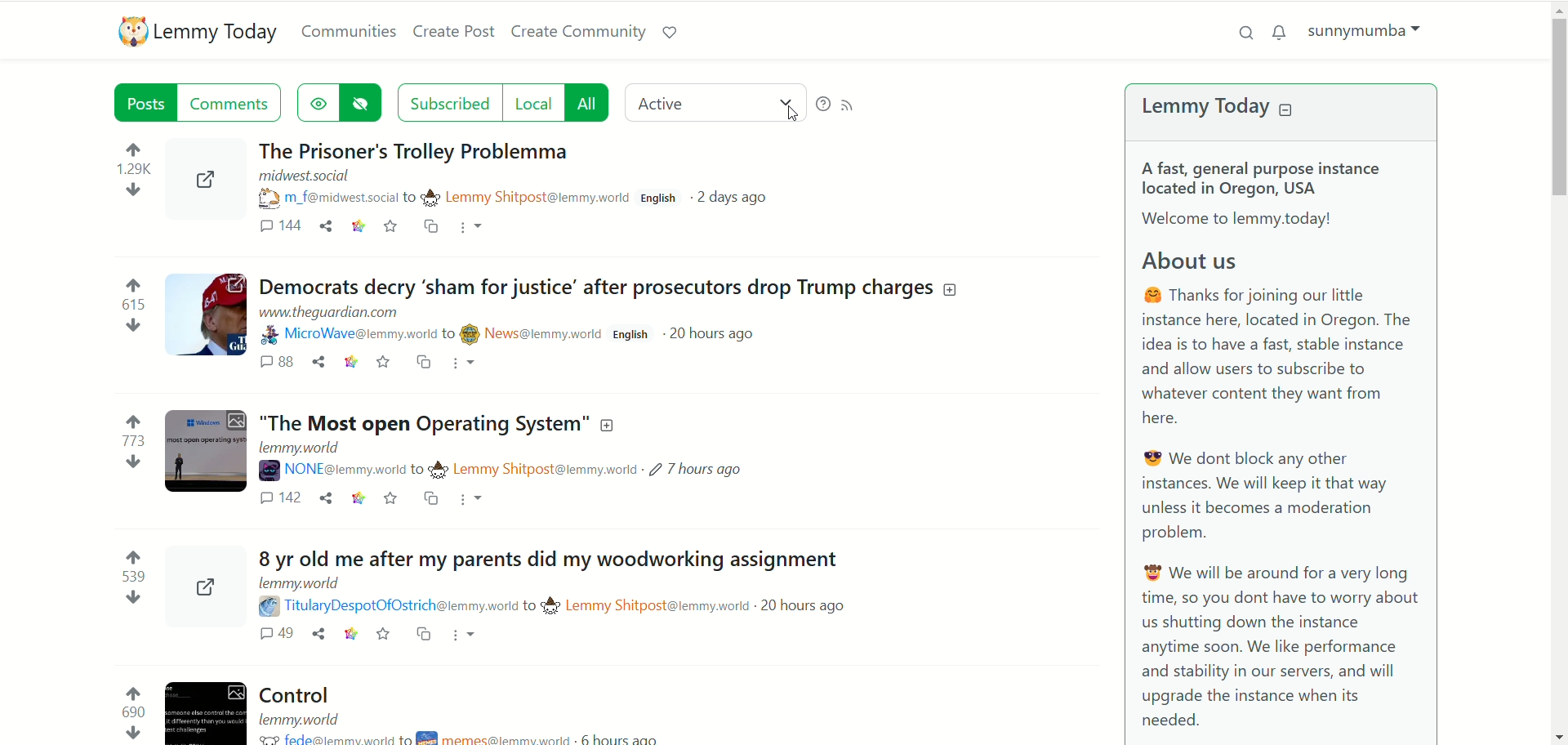 Image resolution: width=1568 pixels, height=745 pixels. Describe the element at coordinates (302, 448) in the screenshot. I see `lemmy.world link` at that location.